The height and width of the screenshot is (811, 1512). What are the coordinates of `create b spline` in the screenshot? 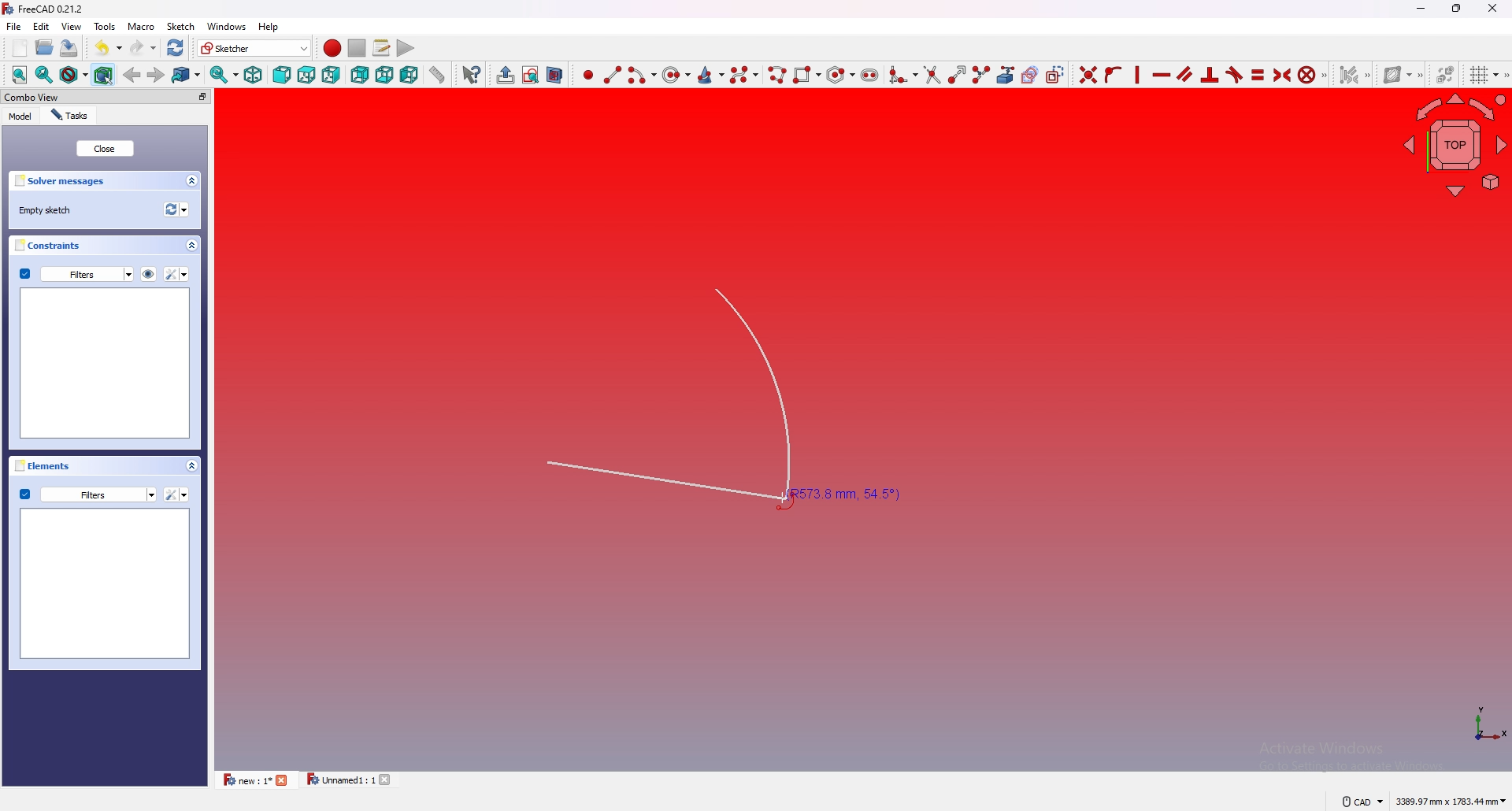 It's located at (744, 74).